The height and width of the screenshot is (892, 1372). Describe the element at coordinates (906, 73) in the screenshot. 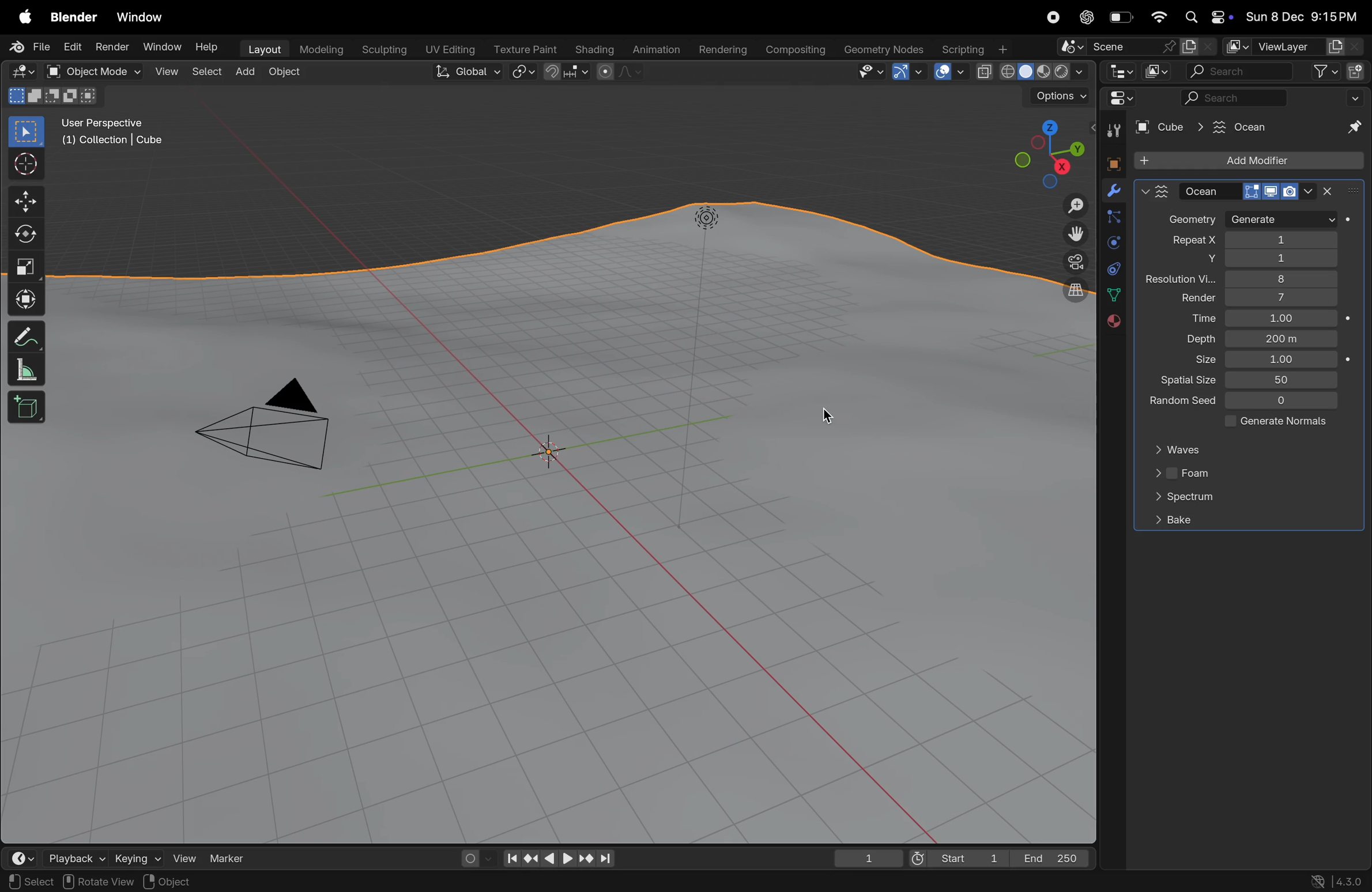

I see `show Gimzo` at that location.